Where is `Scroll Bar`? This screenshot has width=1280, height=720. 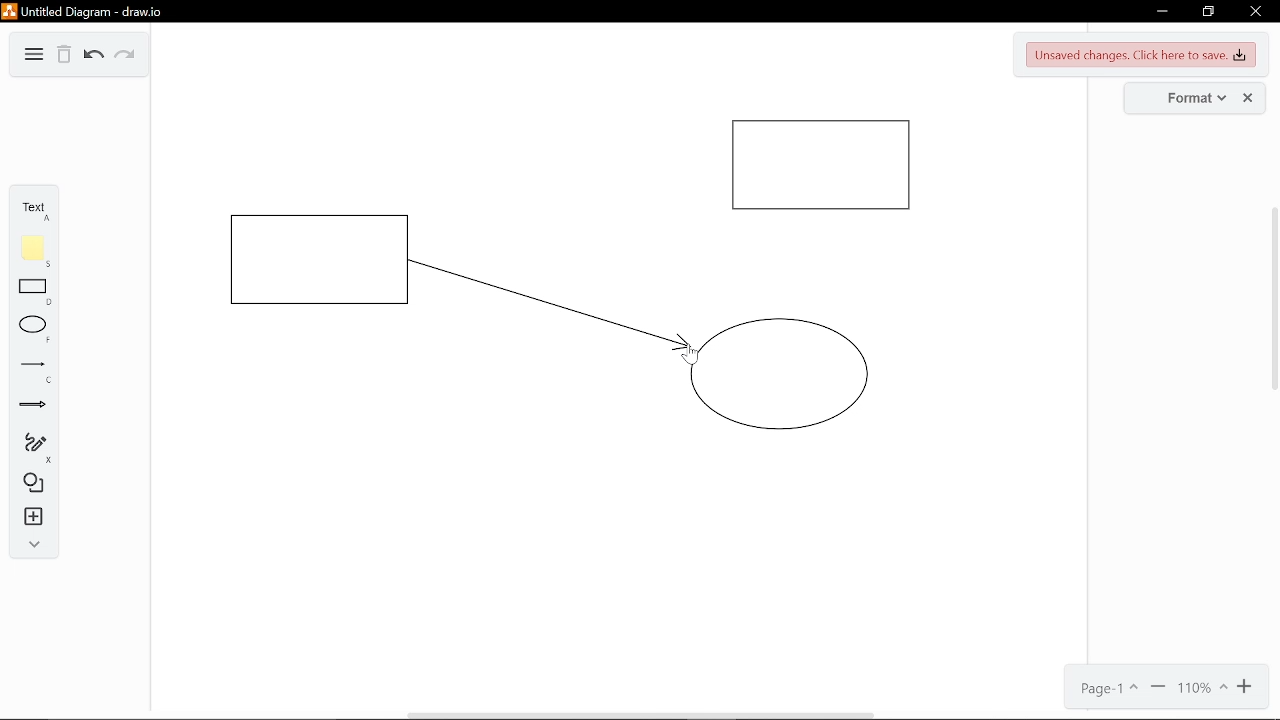
Scroll Bar is located at coordinates (1271, 308).